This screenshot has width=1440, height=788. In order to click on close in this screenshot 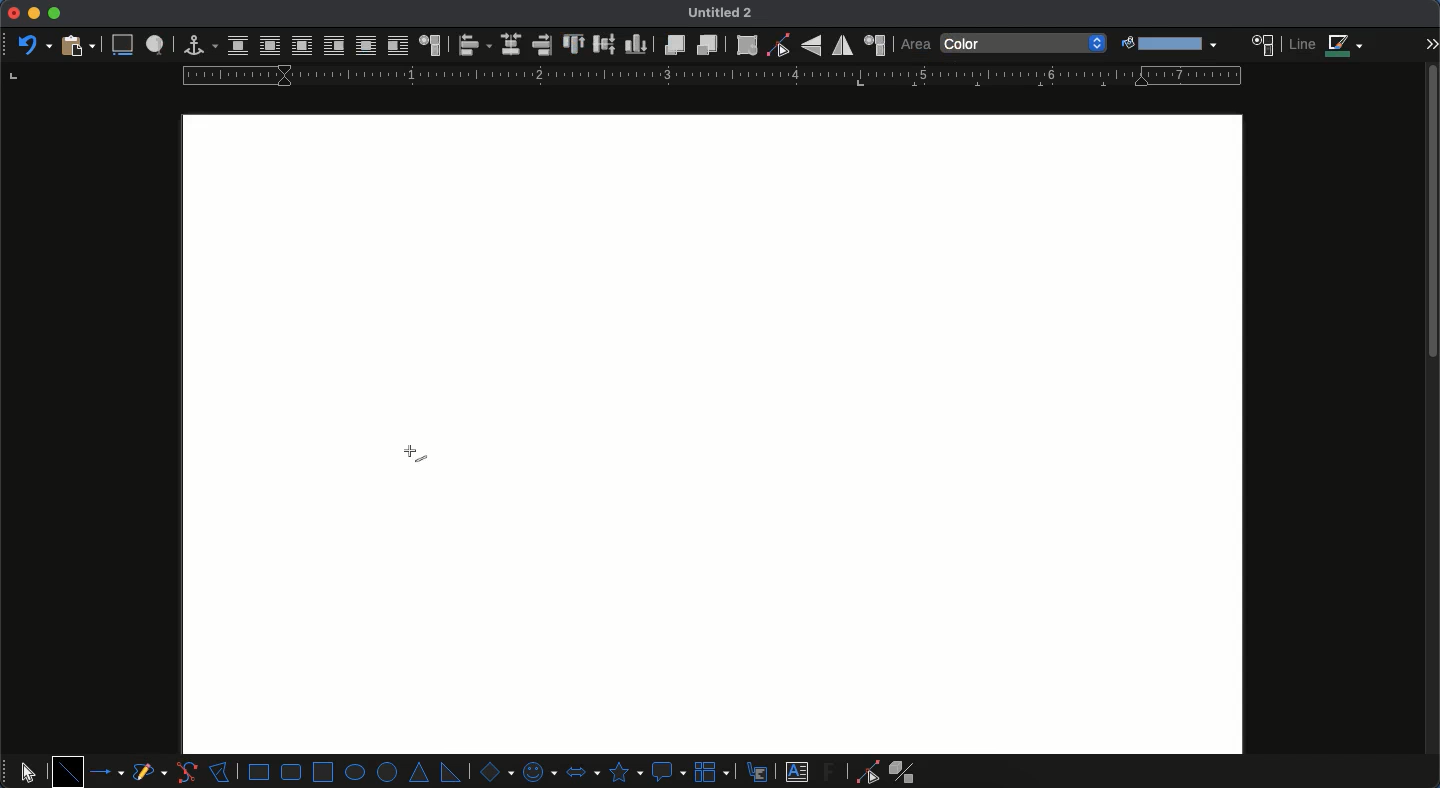, I will do `click(13, 13)`.